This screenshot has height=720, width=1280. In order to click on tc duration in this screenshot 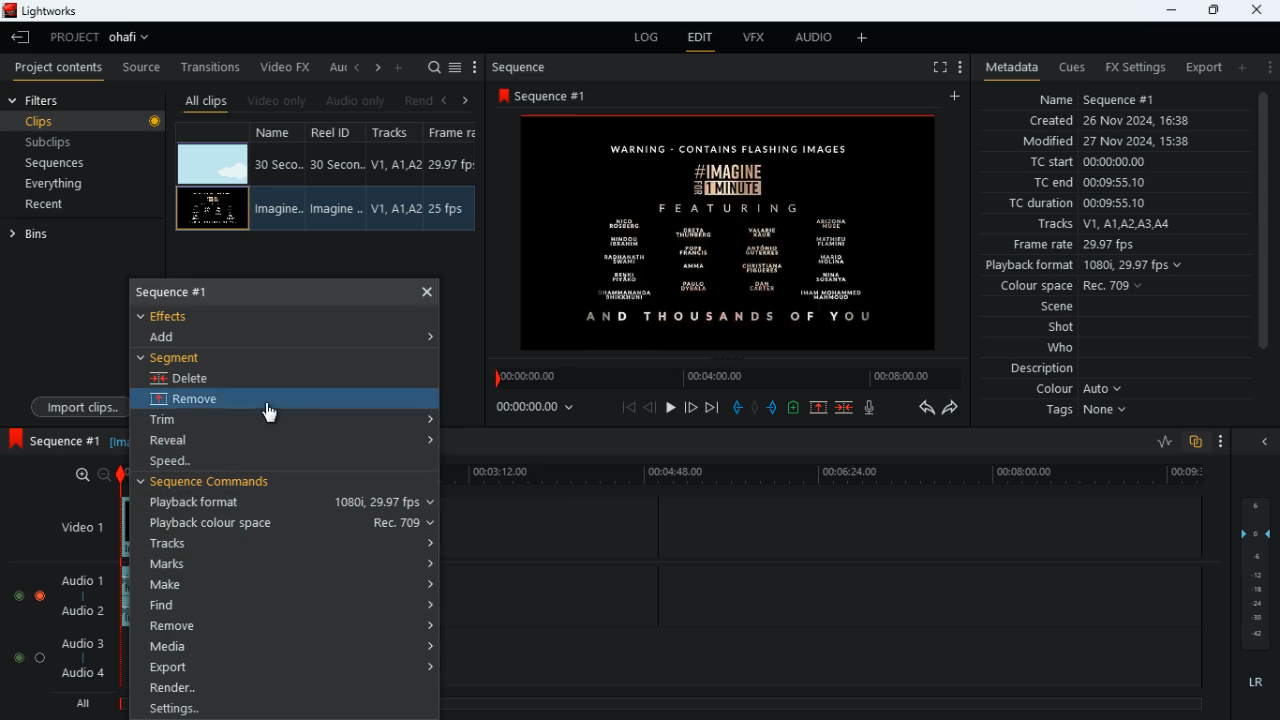, I will do `click(1075, 203)`.